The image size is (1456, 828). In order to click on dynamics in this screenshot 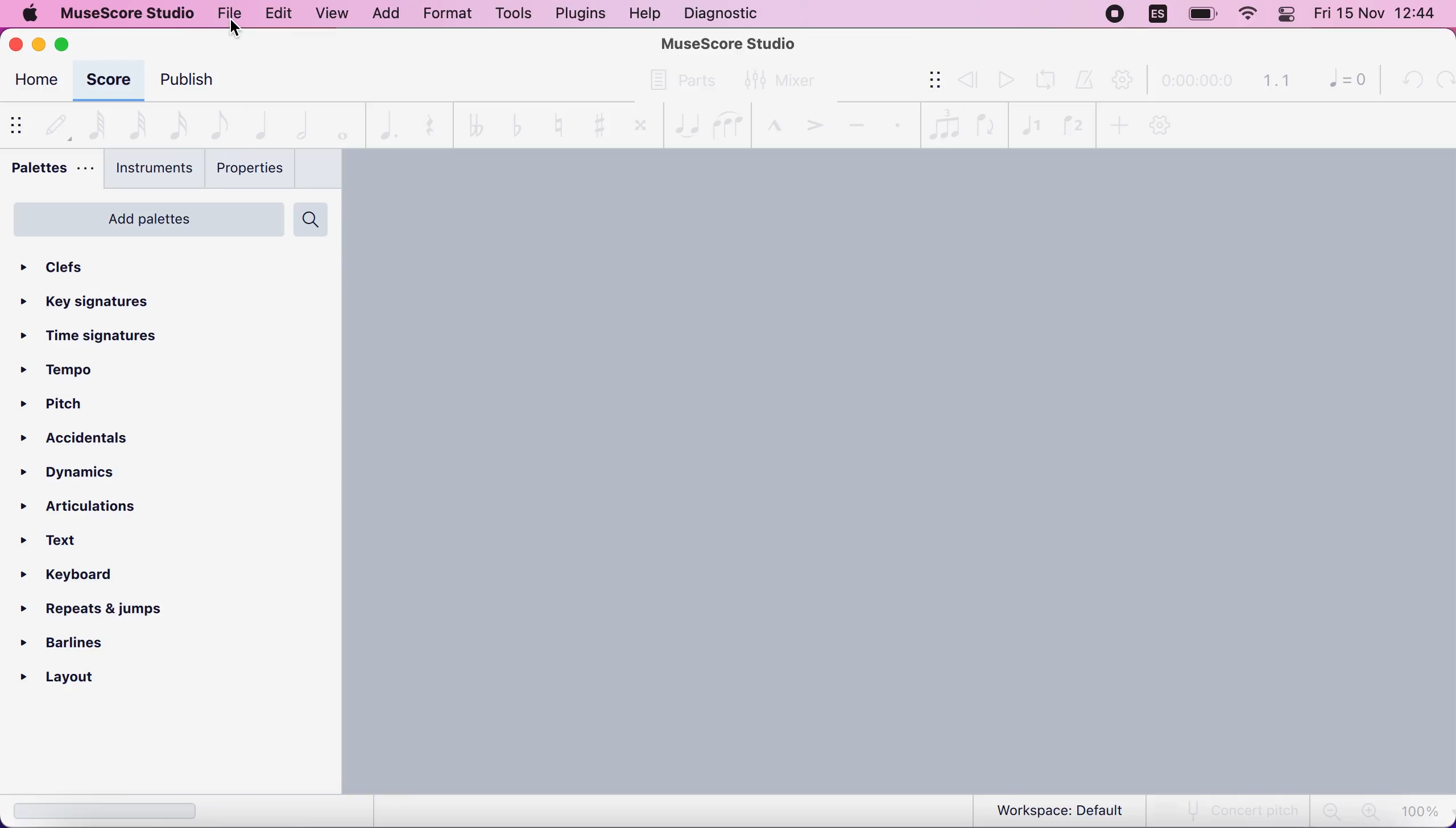, I will do `click(96, 471)`.